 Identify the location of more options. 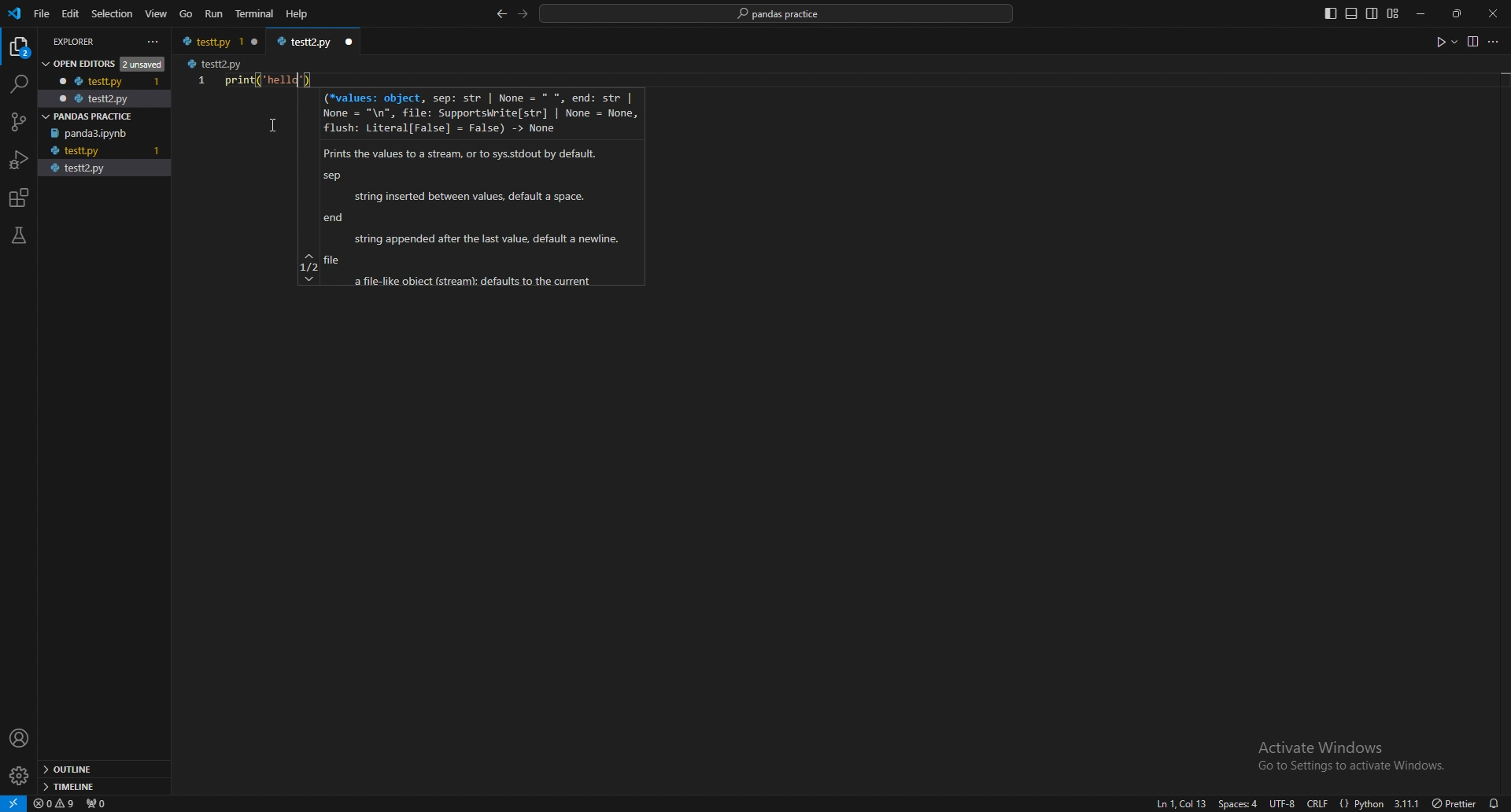
(1496, 43).